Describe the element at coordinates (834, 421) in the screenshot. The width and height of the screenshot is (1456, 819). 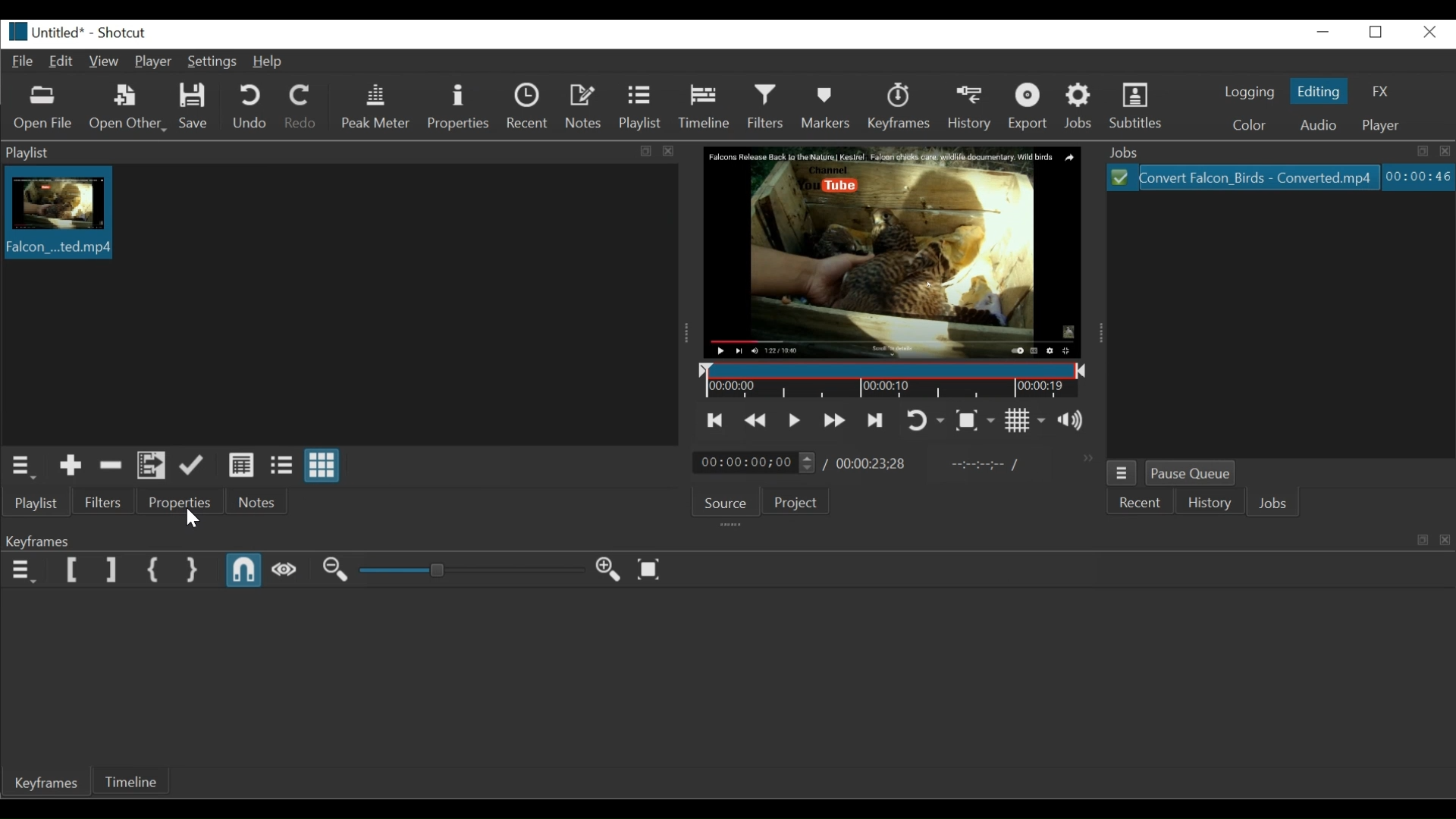
I see `Play quickly forward` at that location.